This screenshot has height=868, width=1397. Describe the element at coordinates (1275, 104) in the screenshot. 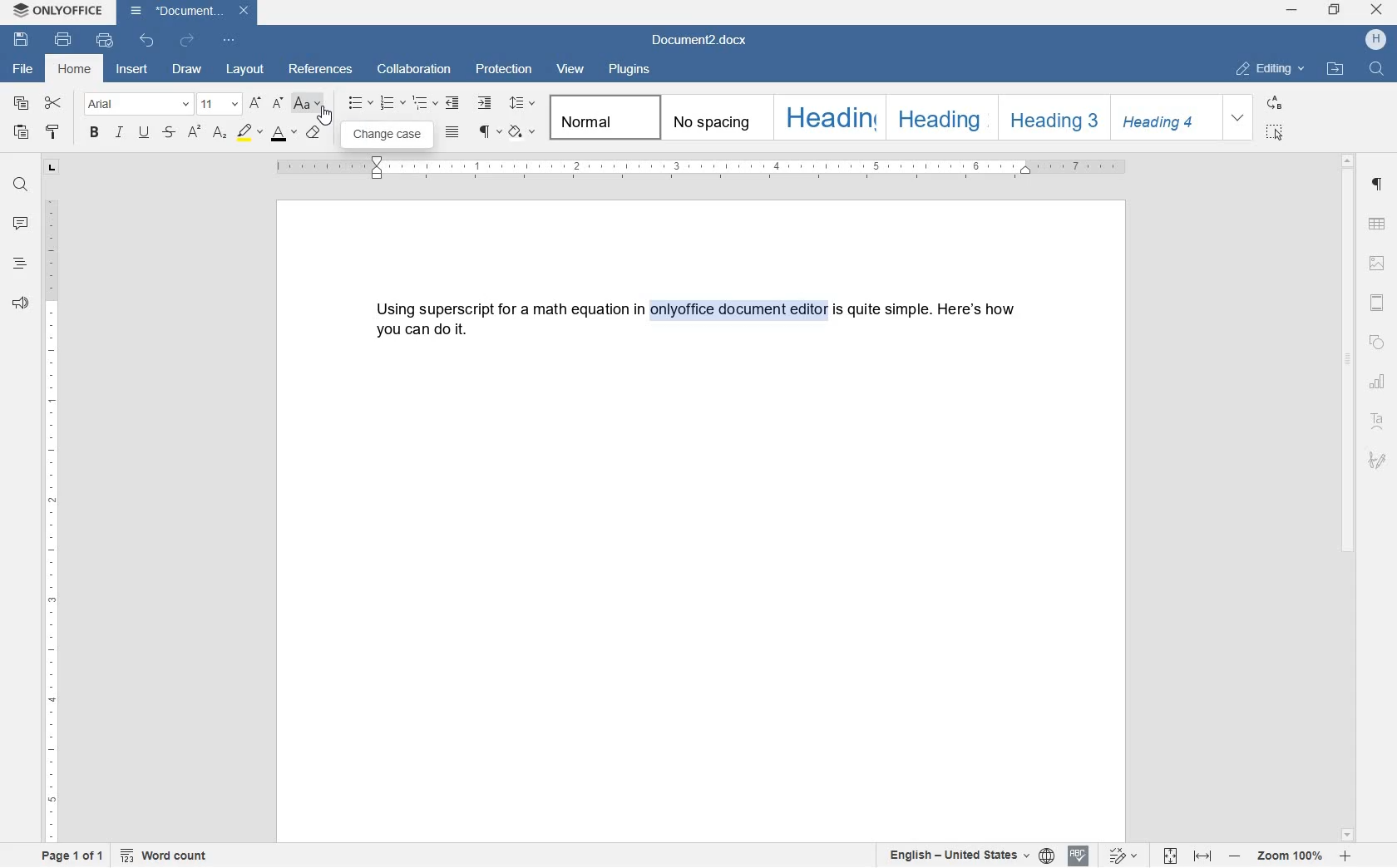

I see `REPLACE` at that location.